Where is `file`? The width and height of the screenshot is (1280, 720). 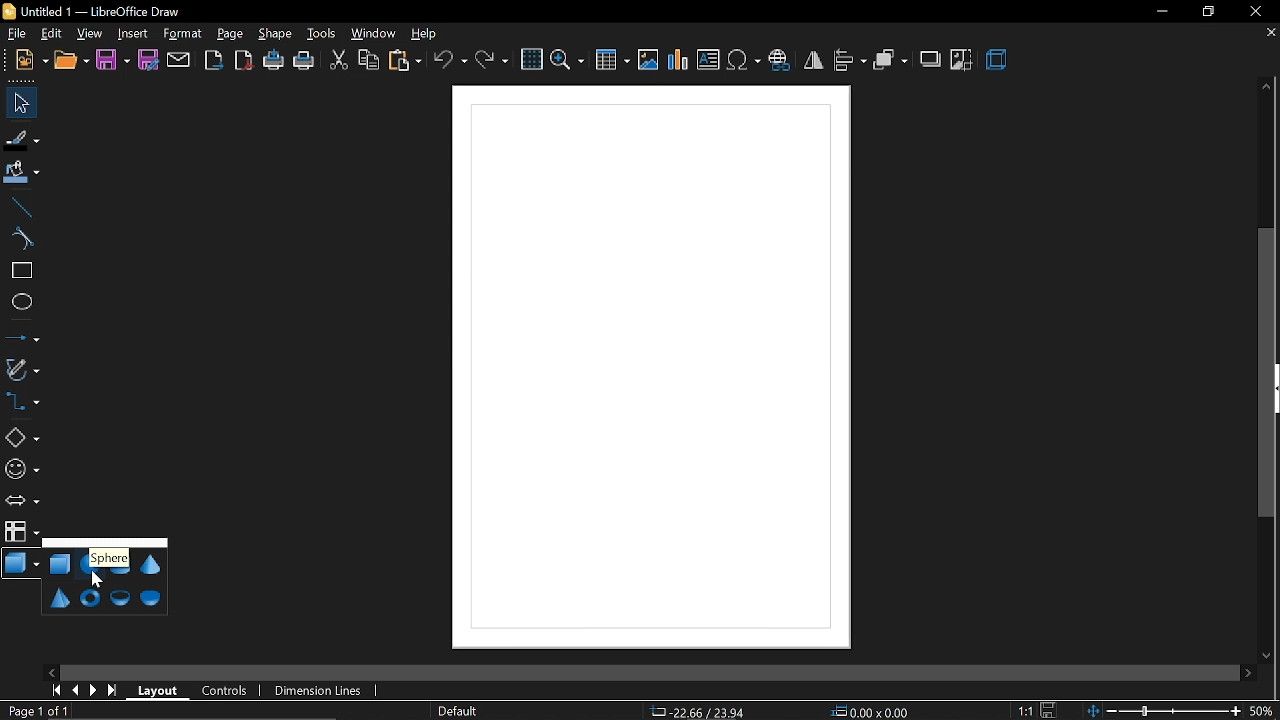
file is located at coordinates (15, 33).